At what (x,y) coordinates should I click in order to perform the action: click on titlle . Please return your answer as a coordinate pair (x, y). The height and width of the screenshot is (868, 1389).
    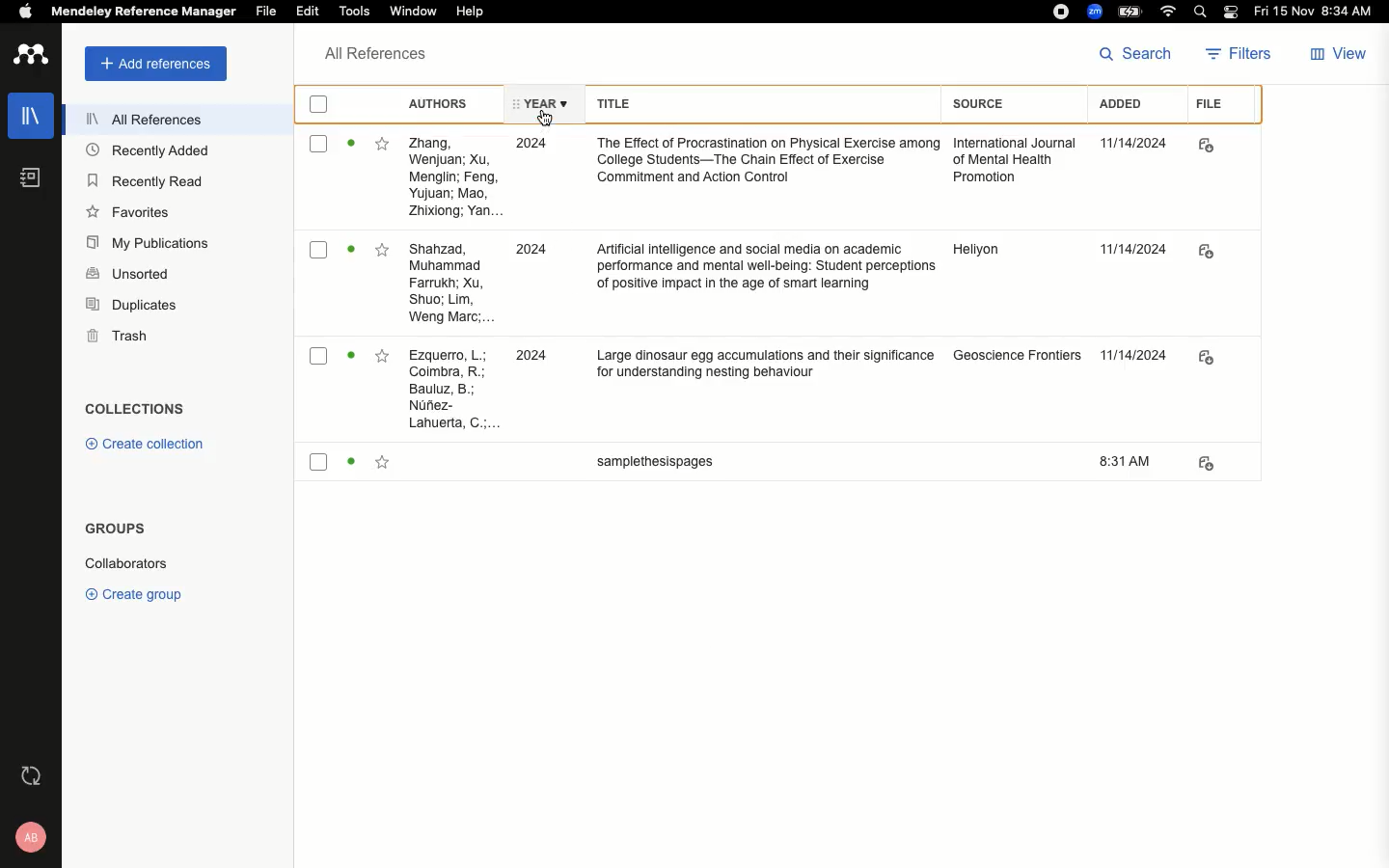
    Looking at the image, I should click on (760, 164).